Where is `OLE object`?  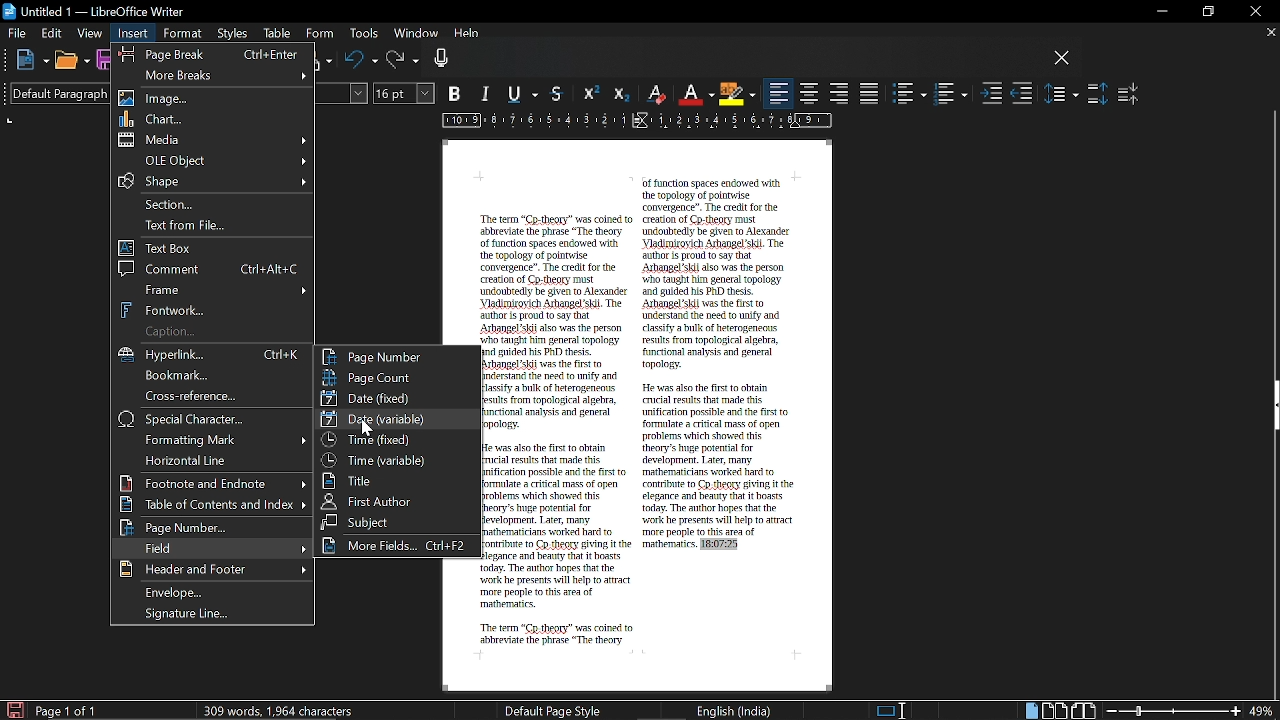 OLE object is located at coordinates (214, 160).